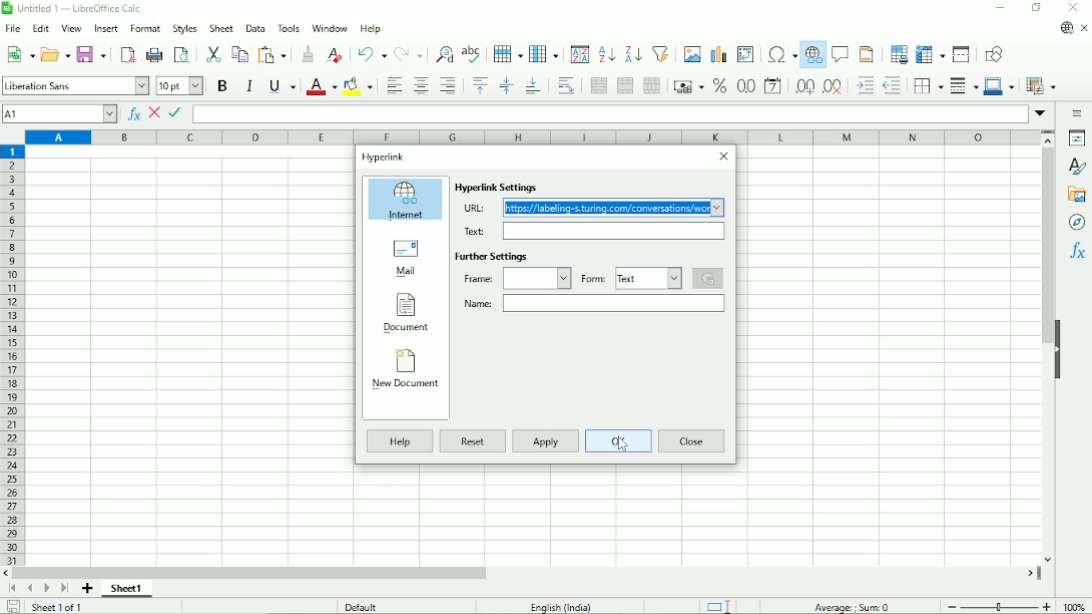 Image resolution: width=1092 pixels, height=614 pixels. What do you see at coordinates (30, 588) in the screenshot?
I see `Scroll to previous page` at bounding box center [30, 588].